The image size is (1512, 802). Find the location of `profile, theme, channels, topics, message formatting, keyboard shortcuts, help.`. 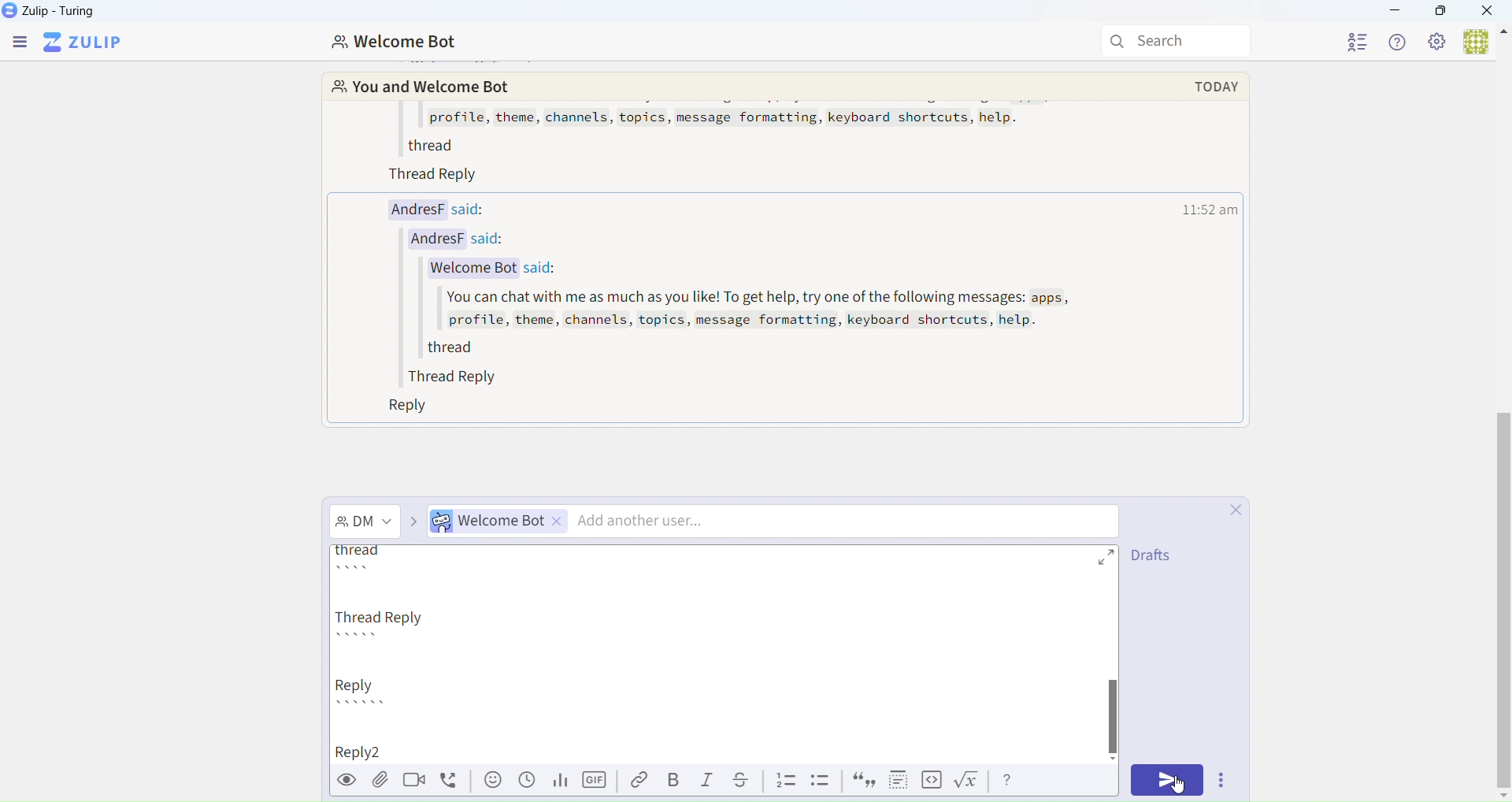

profile, theme, channels, topics, message formatting, keyboard shortcuts, help. is located at coordinates (735, 118).